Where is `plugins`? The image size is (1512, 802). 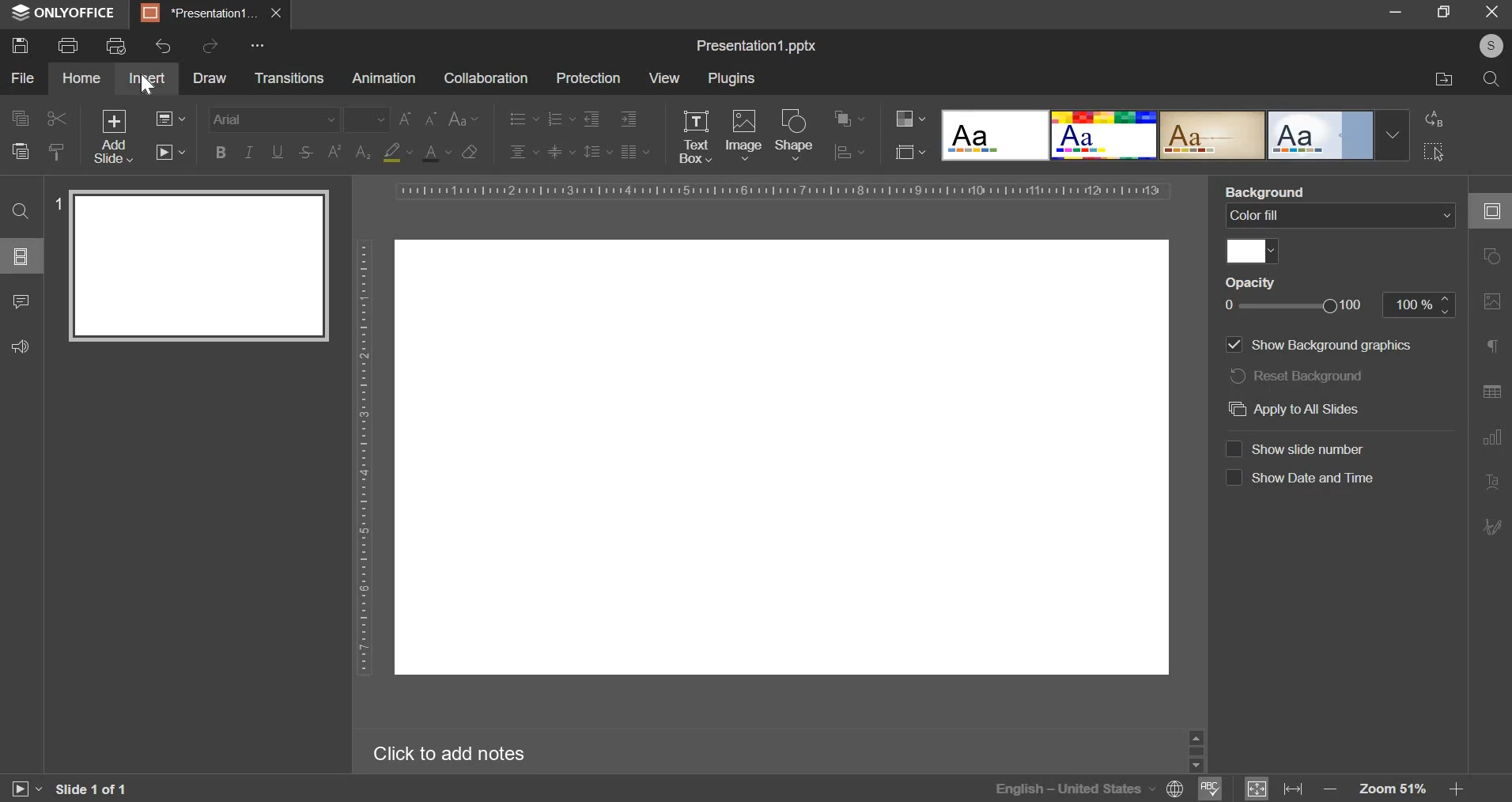 plugins is located at coordinates (732, 79).